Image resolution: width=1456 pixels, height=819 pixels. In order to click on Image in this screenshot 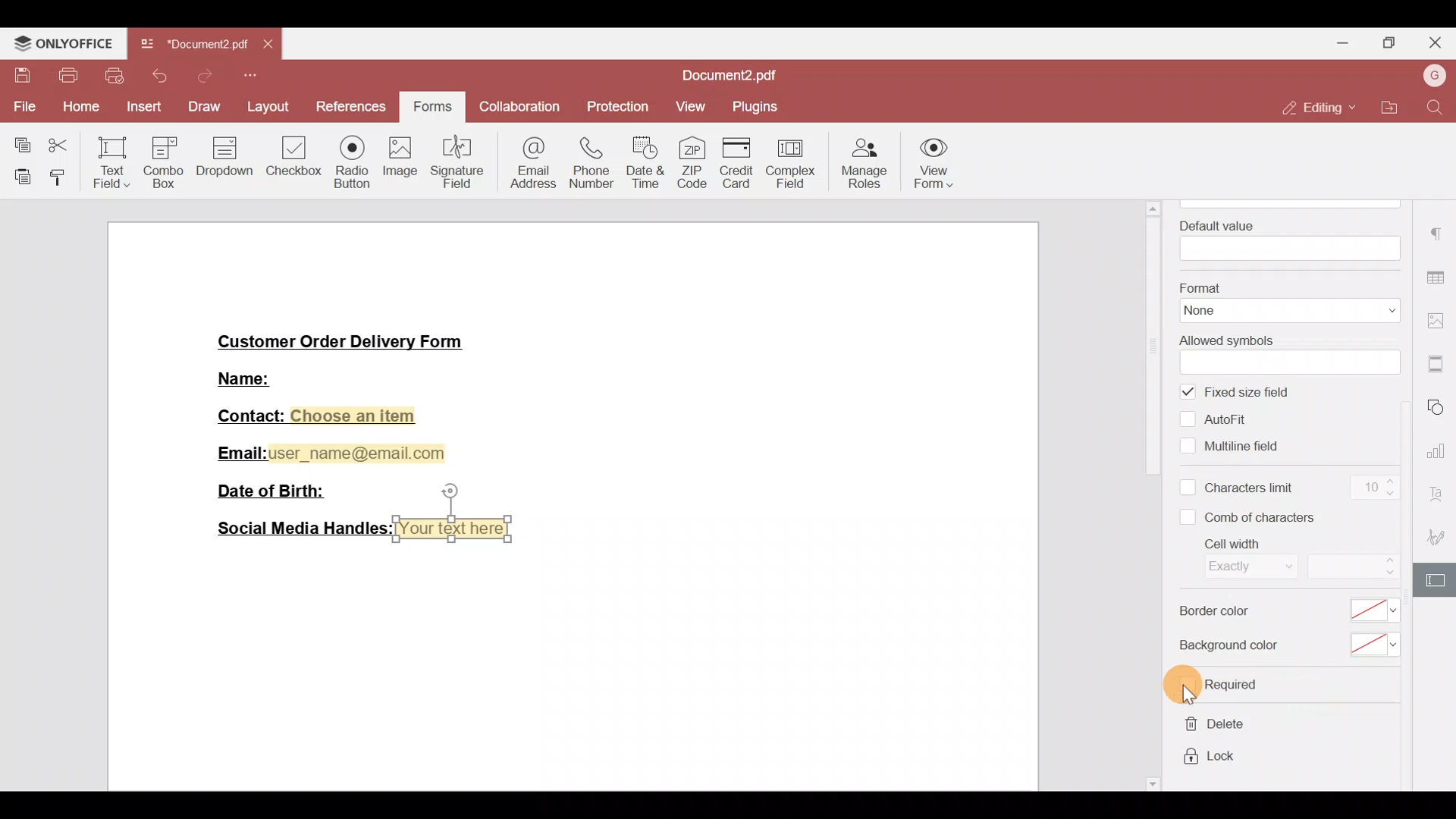, I will do `click(398, 160)`.